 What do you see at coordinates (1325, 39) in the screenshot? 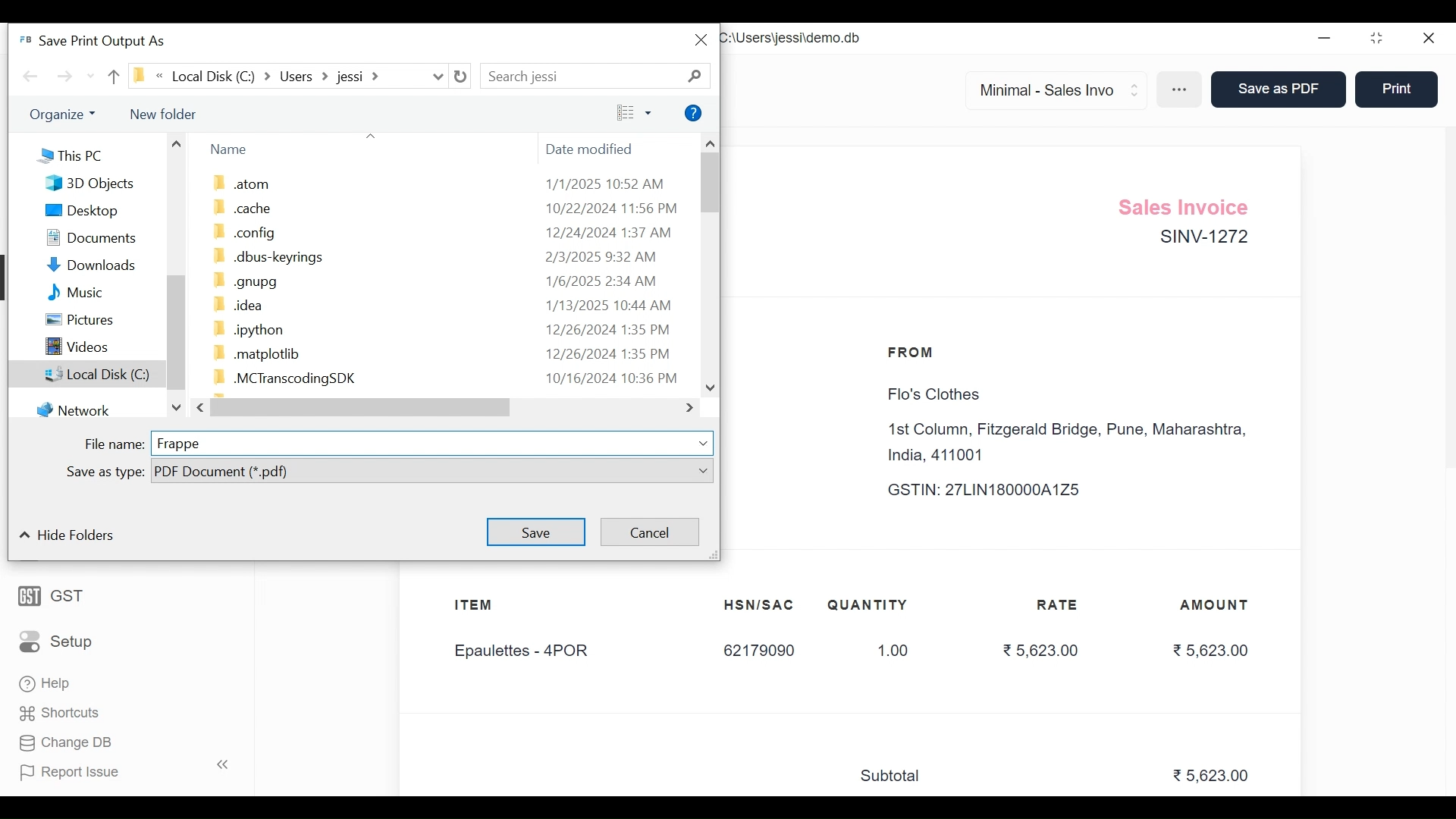
I see `Minimize` at bounding box center [1325, 39].